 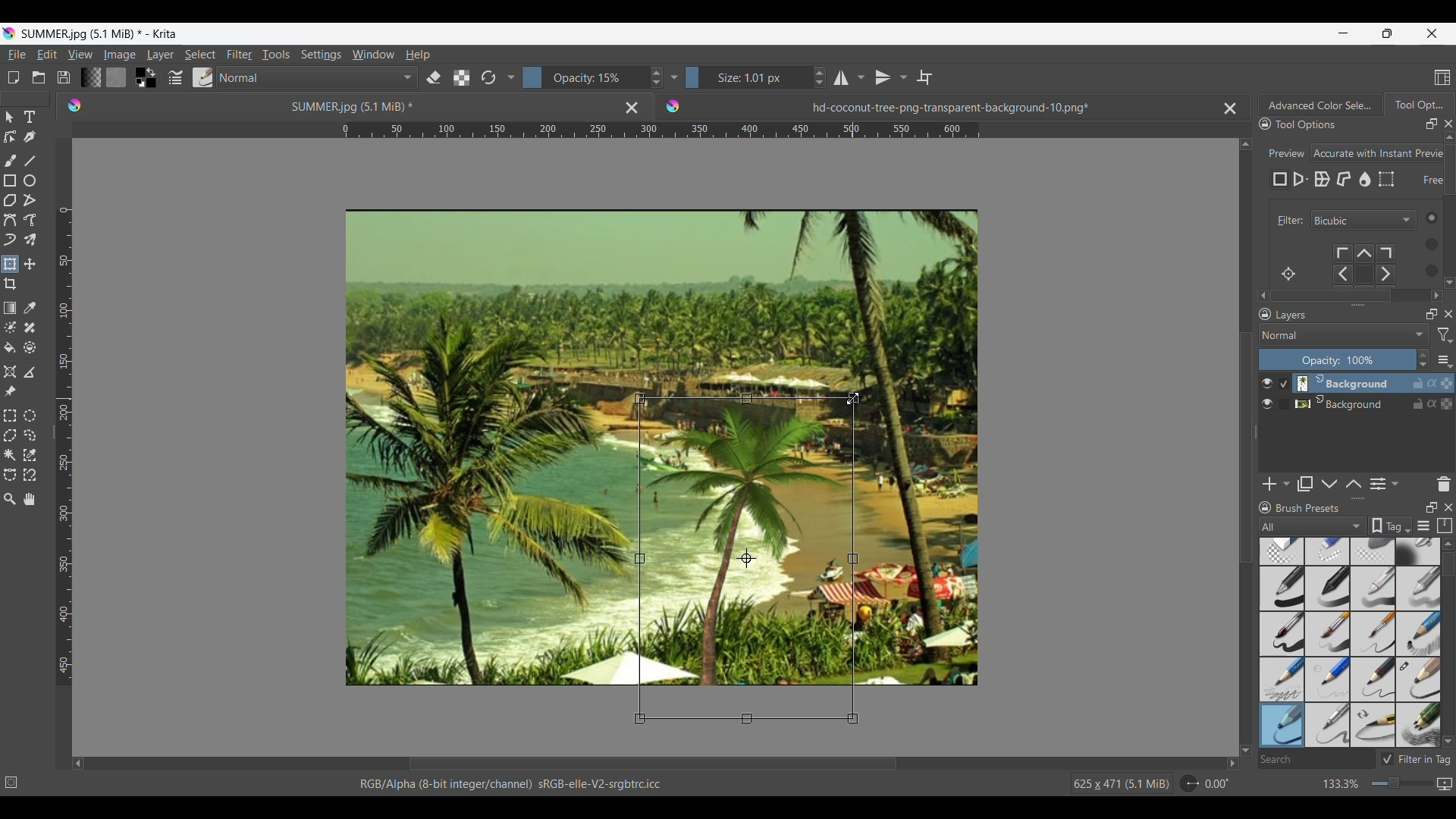 What do you see at coordinates (1259, 293) in the screenshot?
I see `Left` at bounding box center [1259, 293].